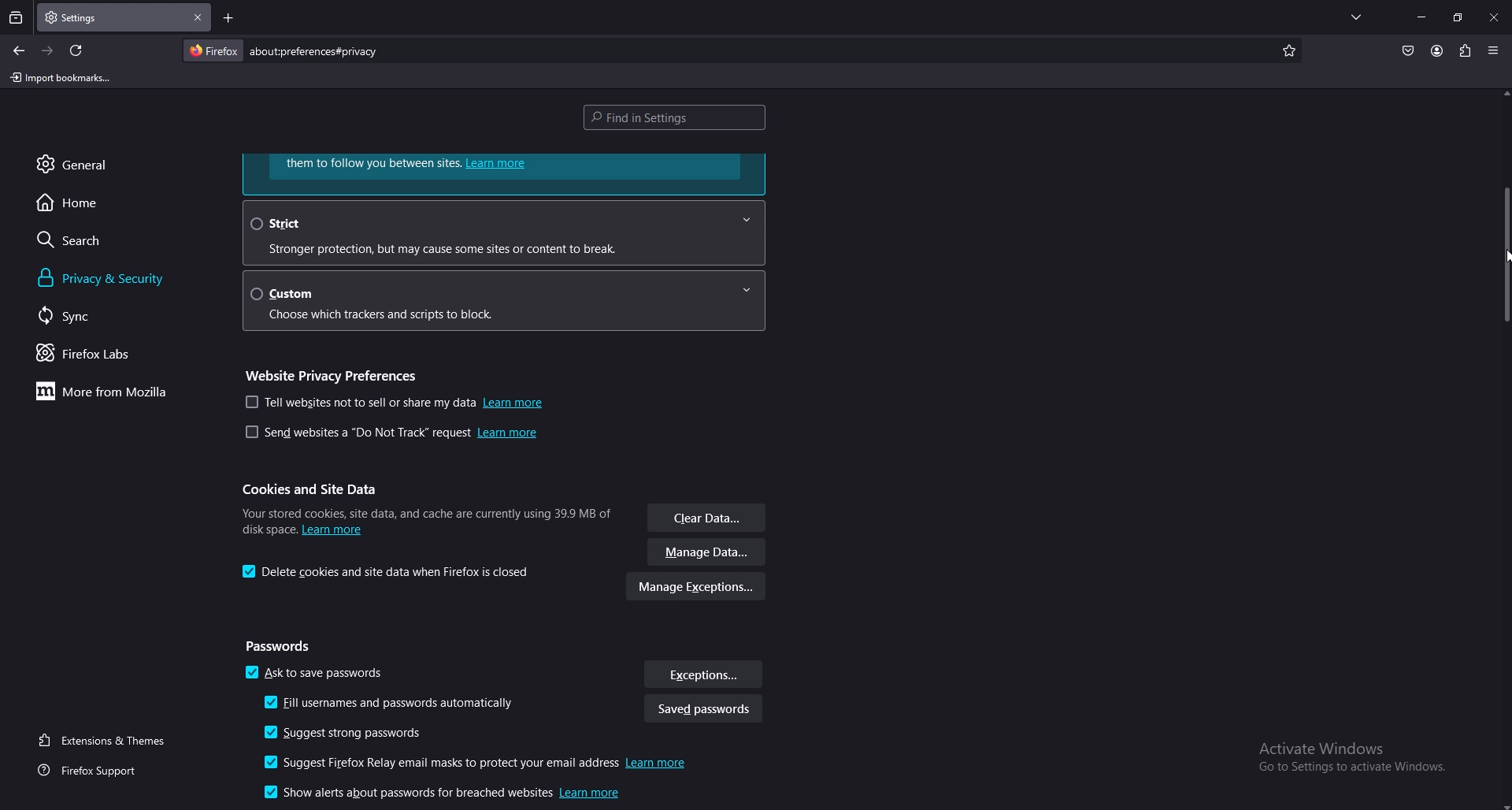 This screenshot has width=1512, height=810. I want to click on suggest strong password, so click(353, 734).